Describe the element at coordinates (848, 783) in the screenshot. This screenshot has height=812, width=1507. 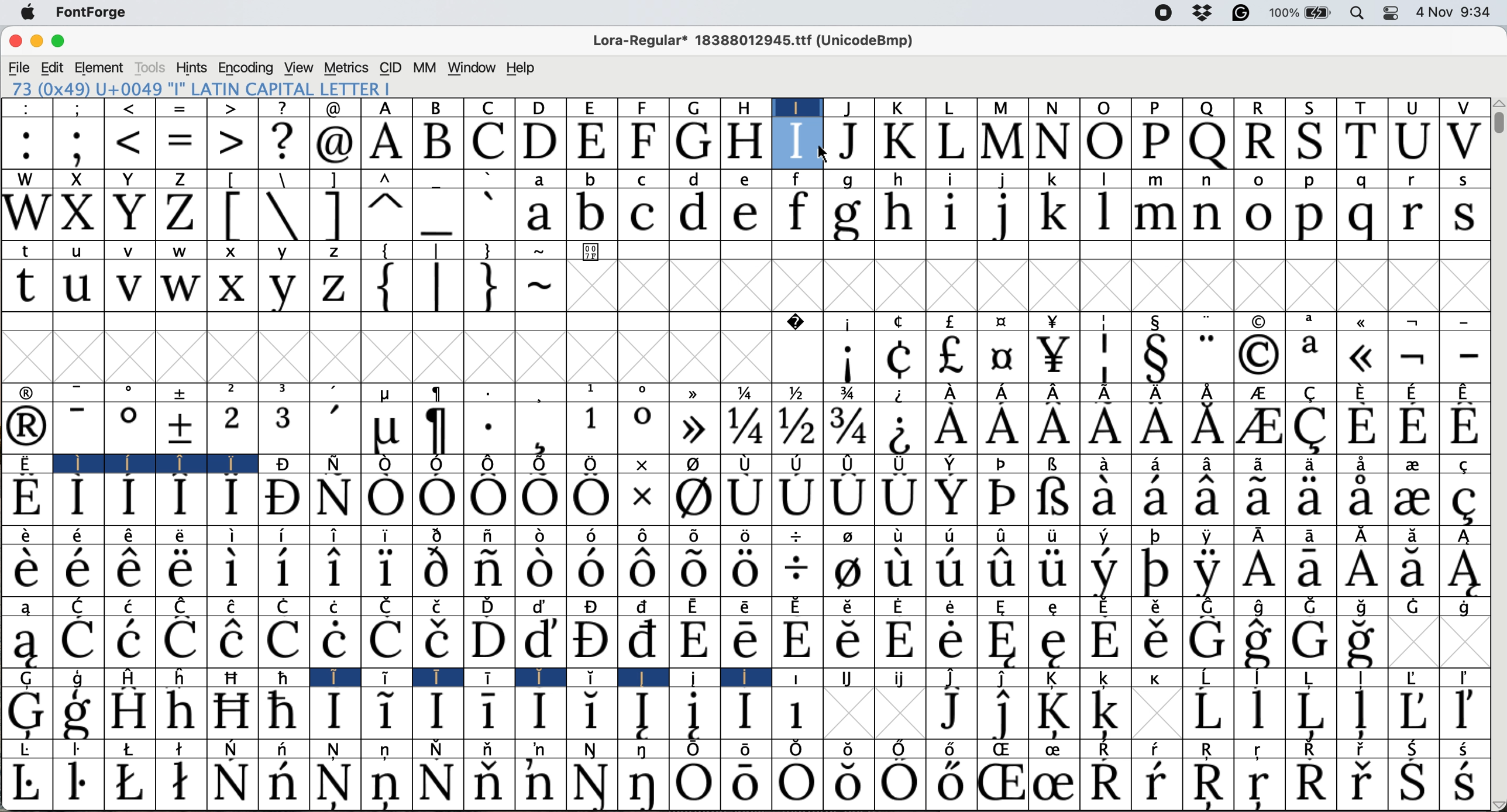
I see `Symbol` at that location.